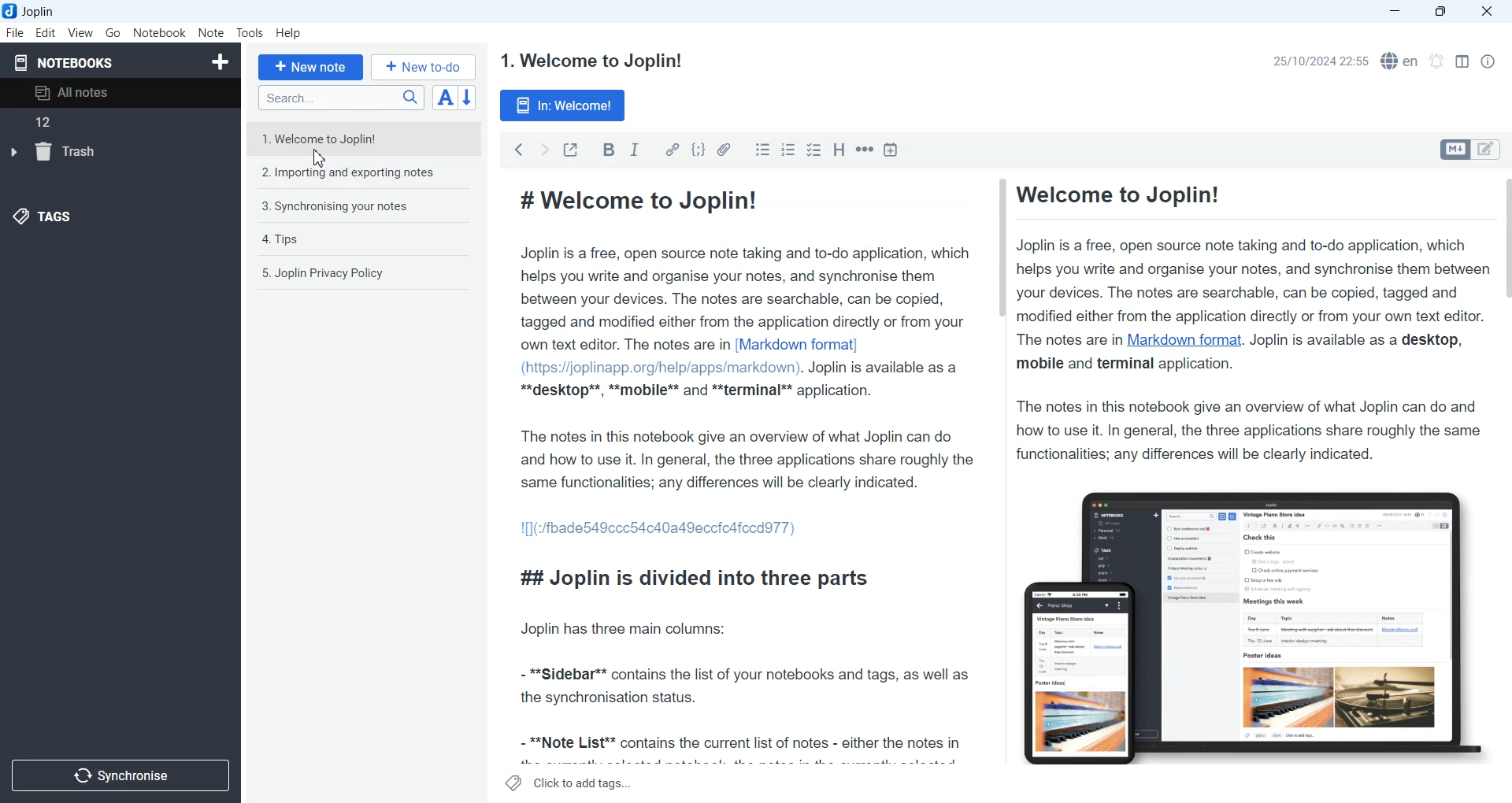  What do you see at coordinates (518, 150) in the screenshot?
I see `Back` at bounding box center [518, 150].